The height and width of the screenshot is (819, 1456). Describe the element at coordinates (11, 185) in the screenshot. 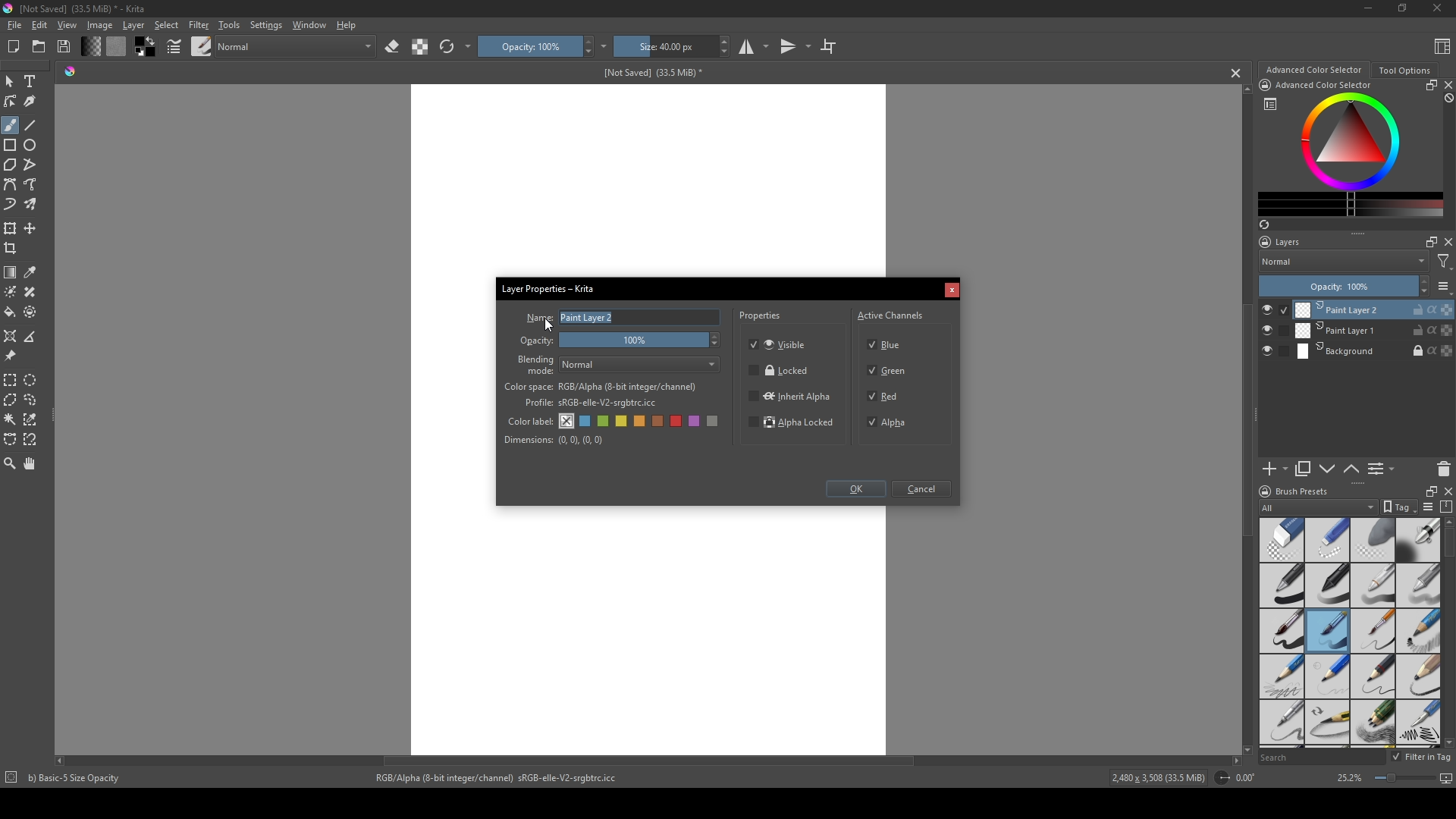

I see `bezier` at that location.